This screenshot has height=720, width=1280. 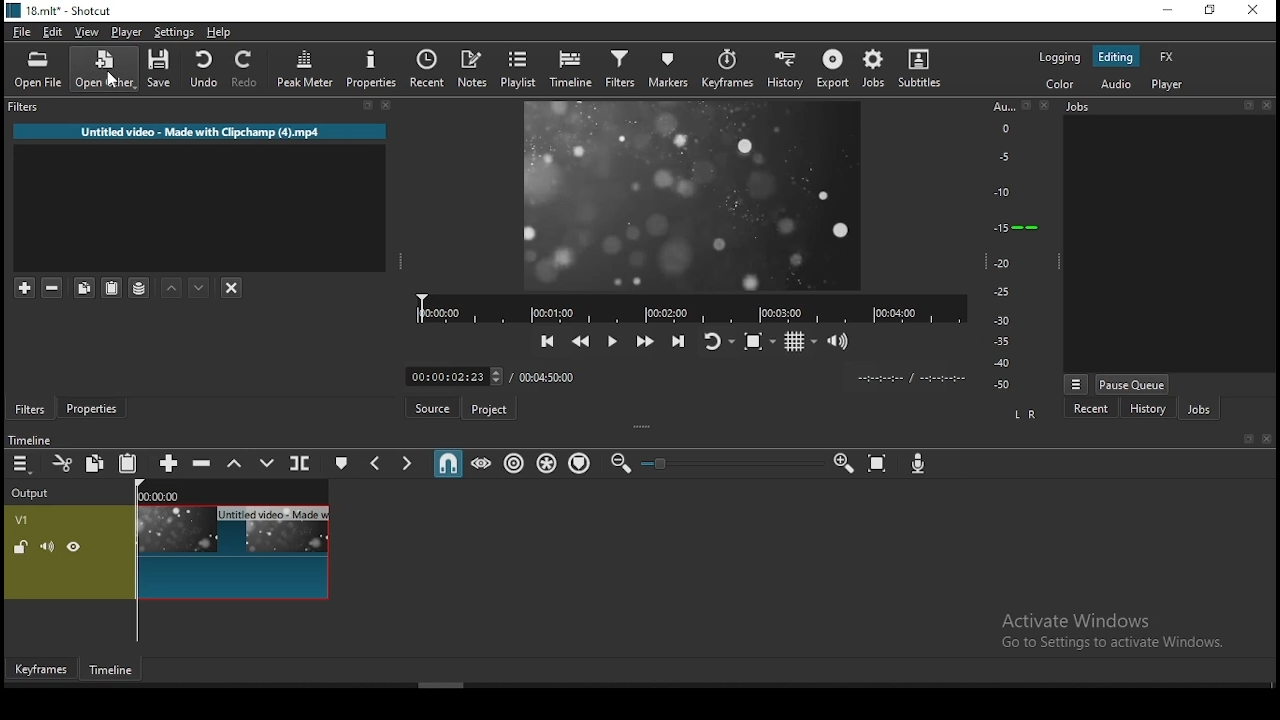 I want to click on playlist, so click(x=519, y=69).